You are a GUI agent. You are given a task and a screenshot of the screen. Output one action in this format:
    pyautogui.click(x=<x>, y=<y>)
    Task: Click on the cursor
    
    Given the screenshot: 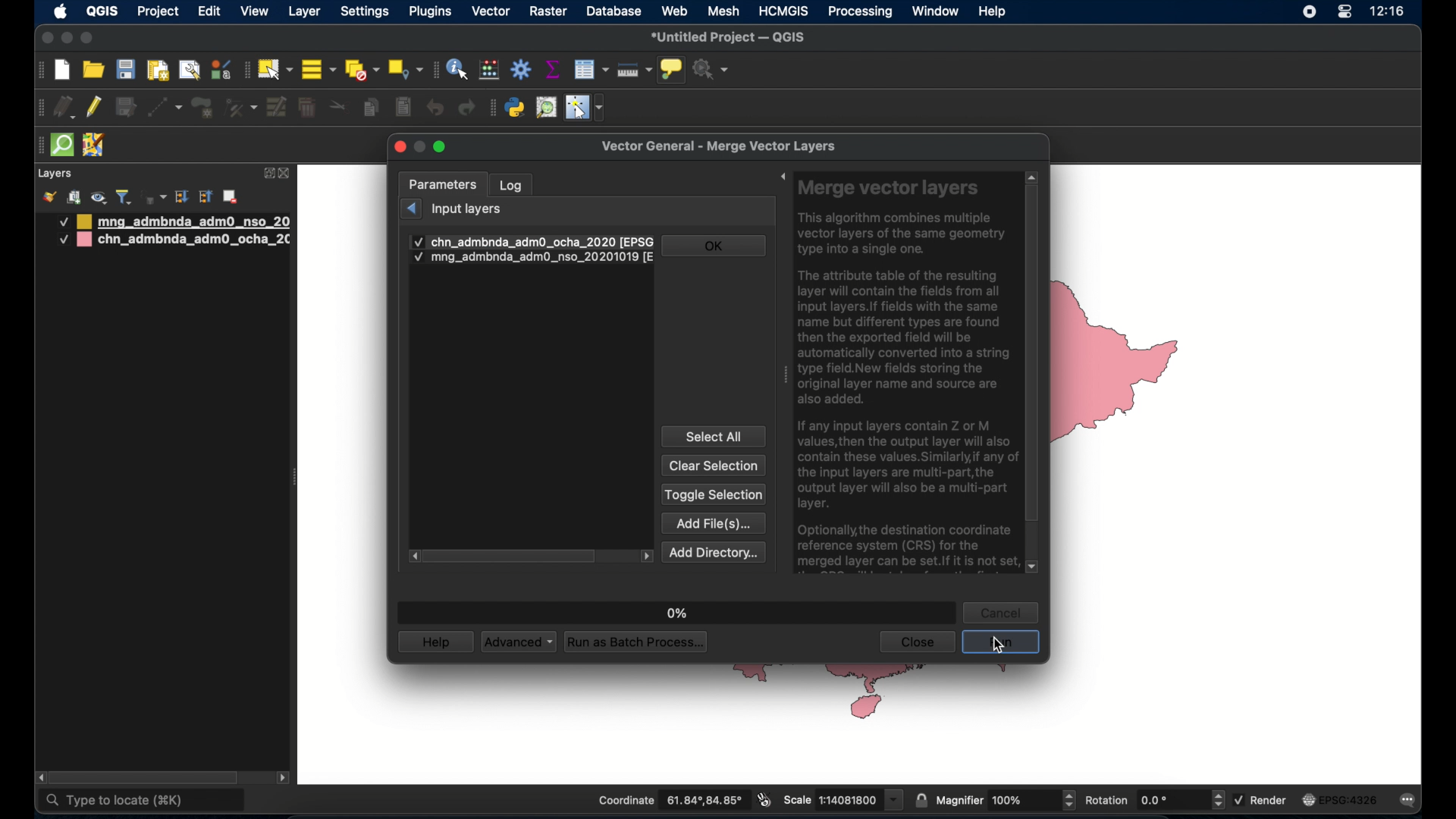 What is the action you would take?
    pyautogui.click(x=998, y=644)
    